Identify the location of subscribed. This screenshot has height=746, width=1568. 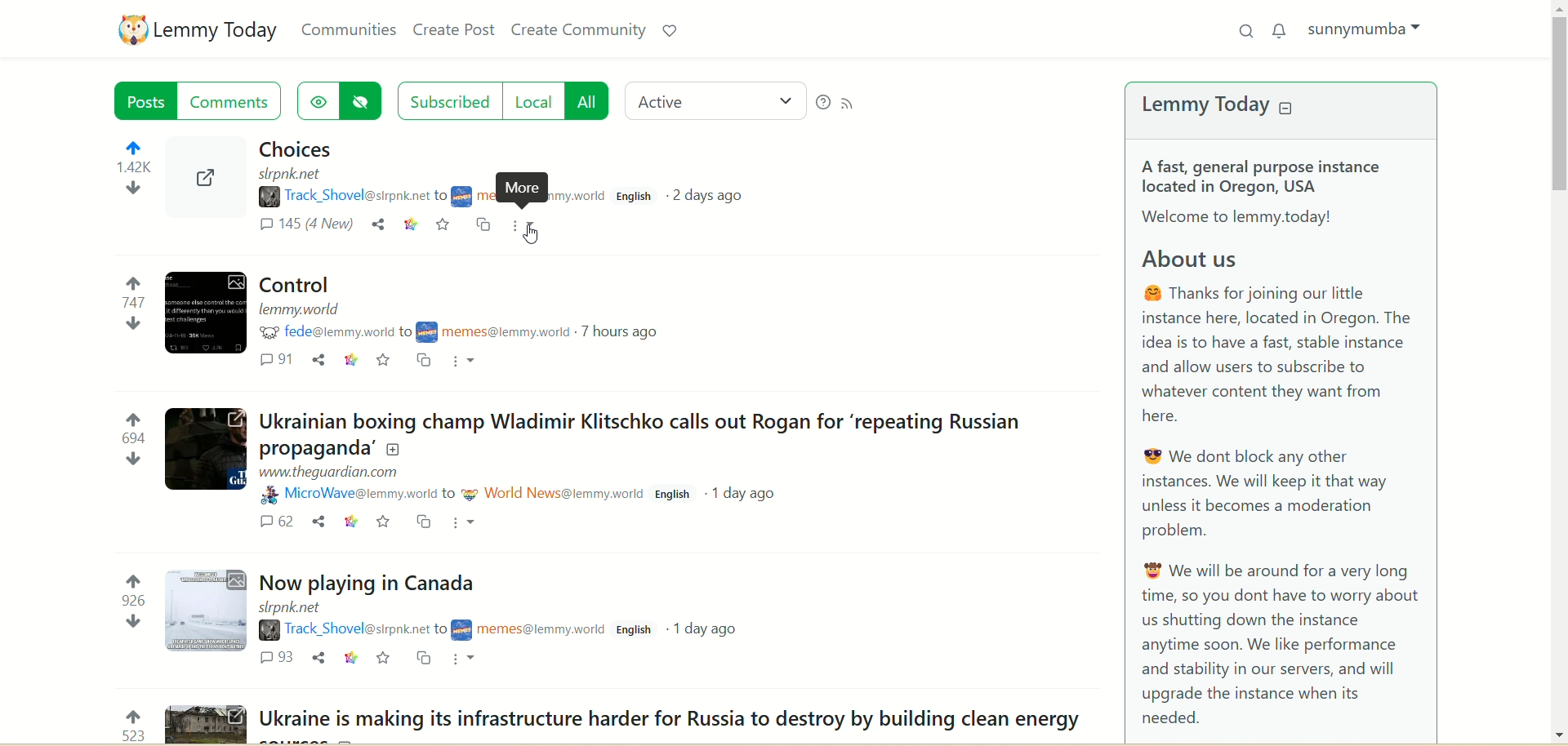
(448, 100).